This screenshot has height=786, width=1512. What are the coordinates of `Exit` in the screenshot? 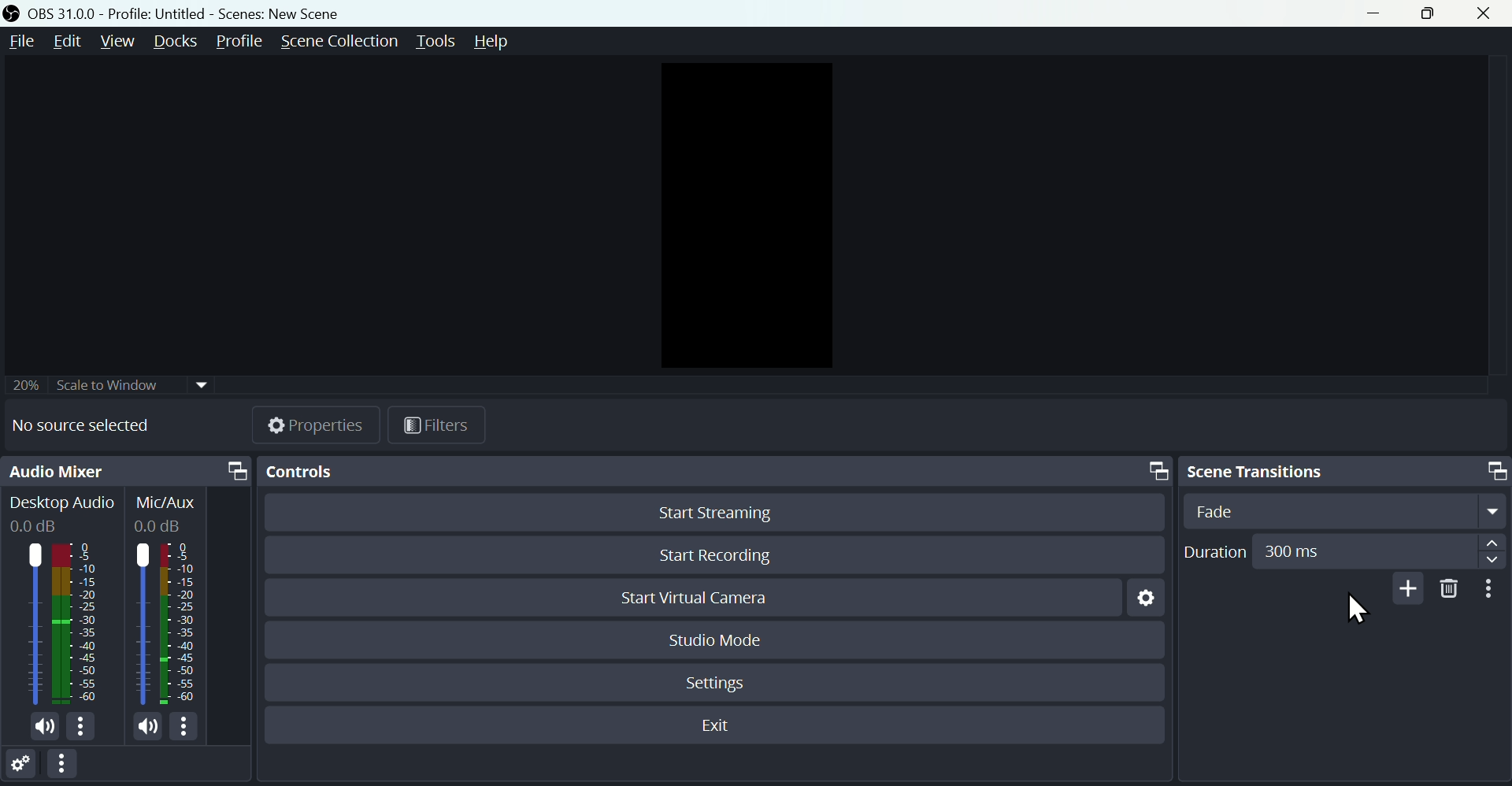 It's located at (721, 728).